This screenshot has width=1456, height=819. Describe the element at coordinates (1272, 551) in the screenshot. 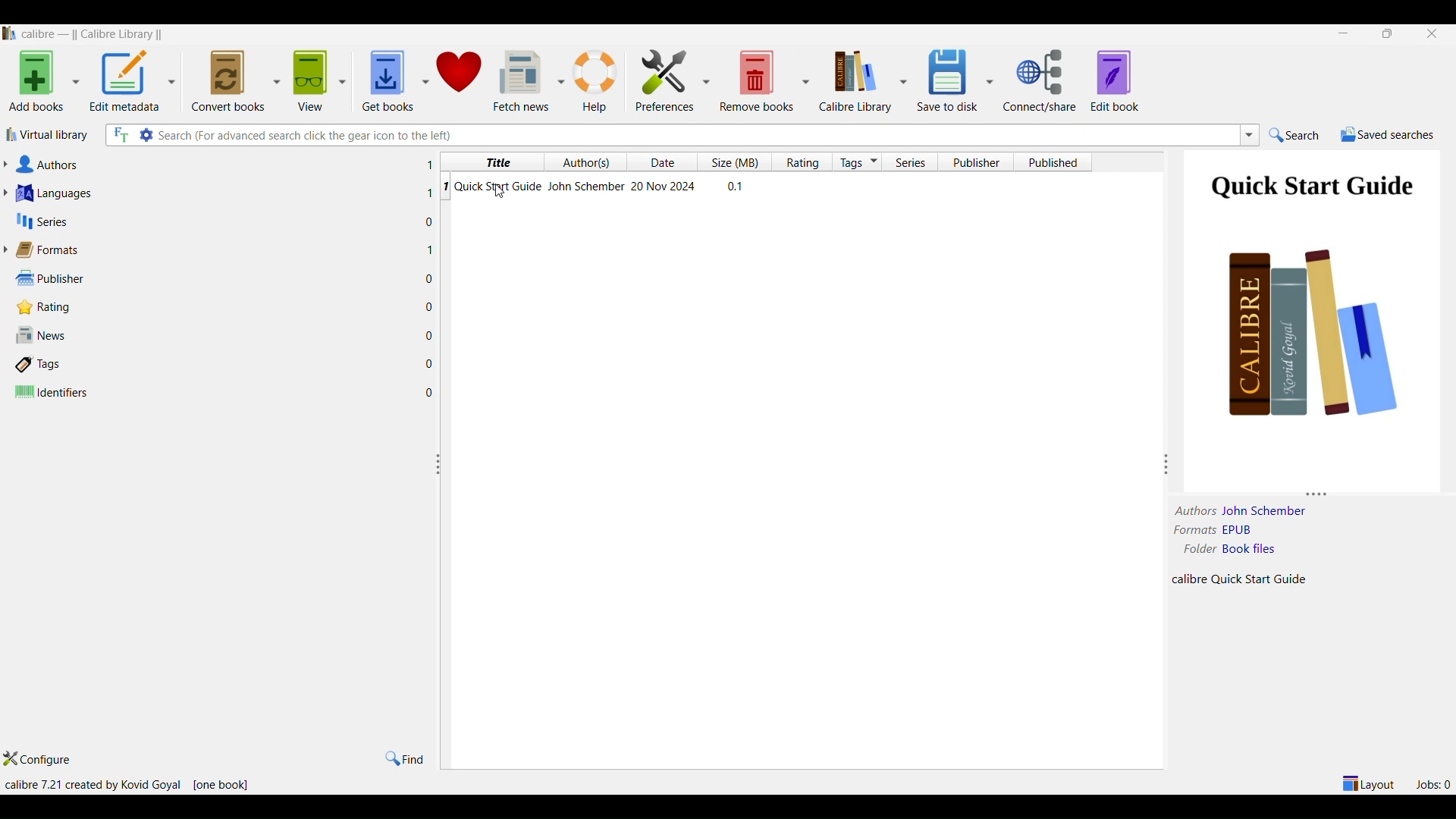

I see `Book files` at that location.